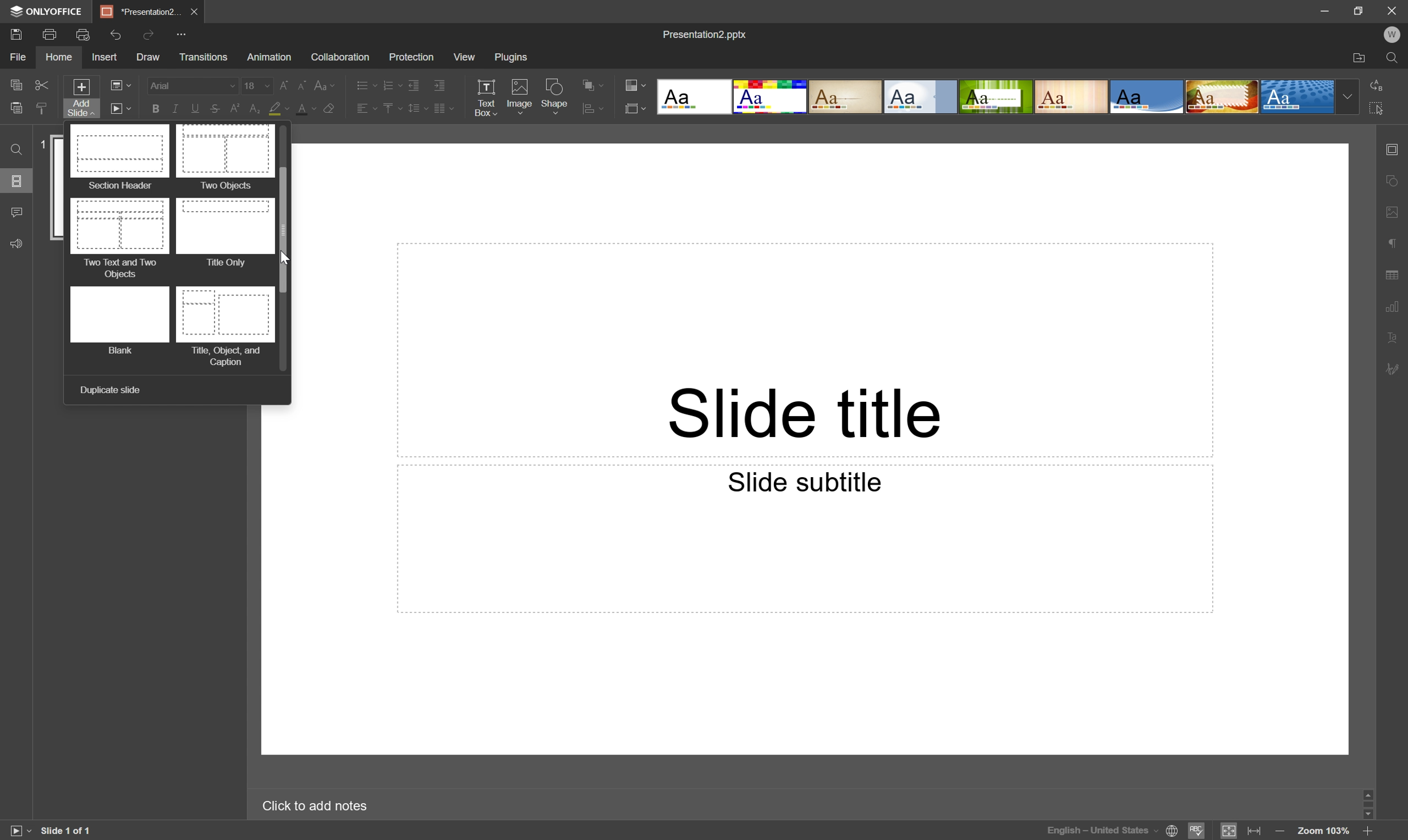 Image resolution: width=1408 pixels, height=840 pixels. What do you see at coordinates (444, 109) in the screenshot?
I see `Insert columns` at bounding box center [444, 109].